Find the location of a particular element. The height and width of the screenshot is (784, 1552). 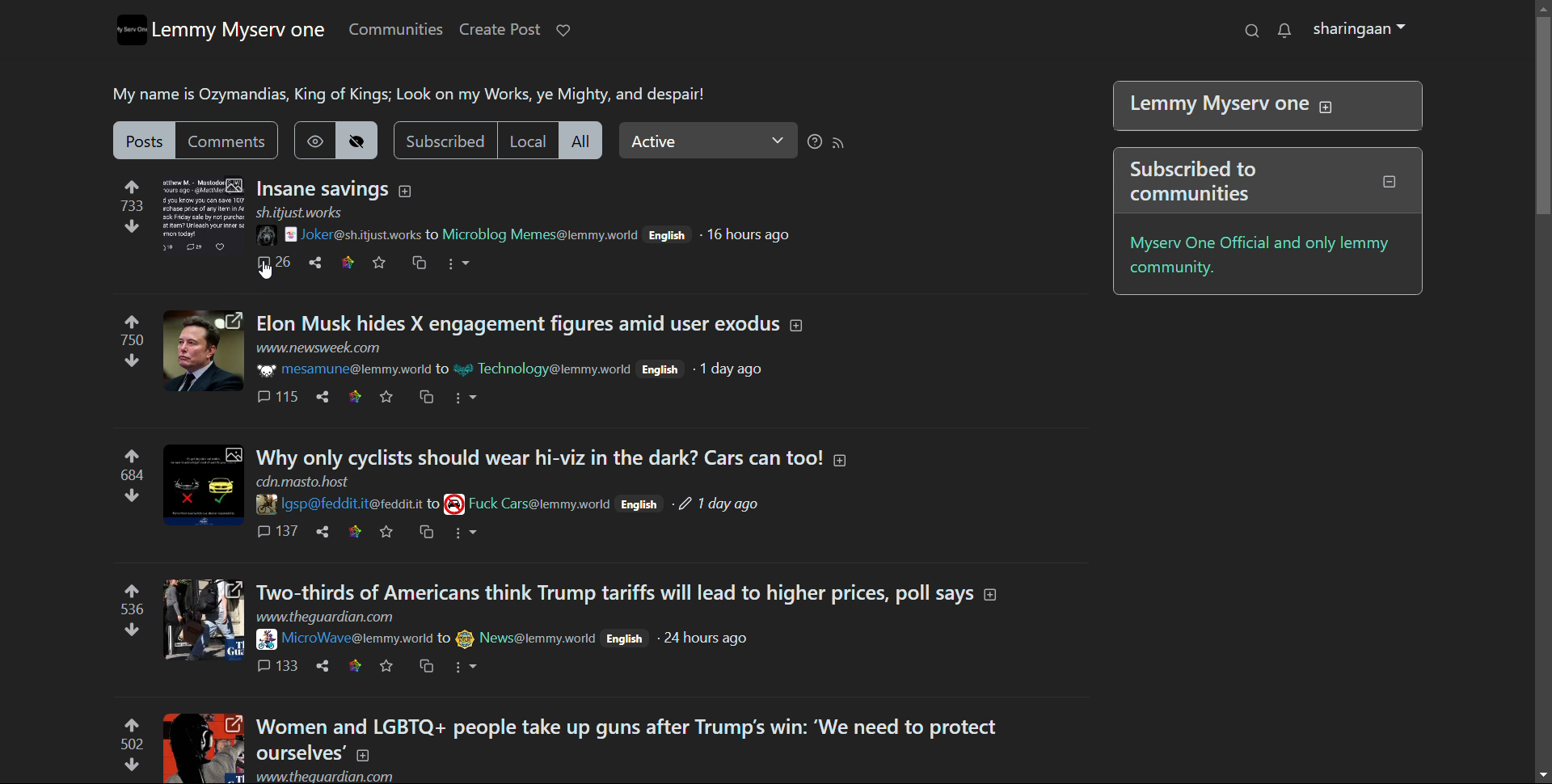

post title is located at coordinates (628, 739).